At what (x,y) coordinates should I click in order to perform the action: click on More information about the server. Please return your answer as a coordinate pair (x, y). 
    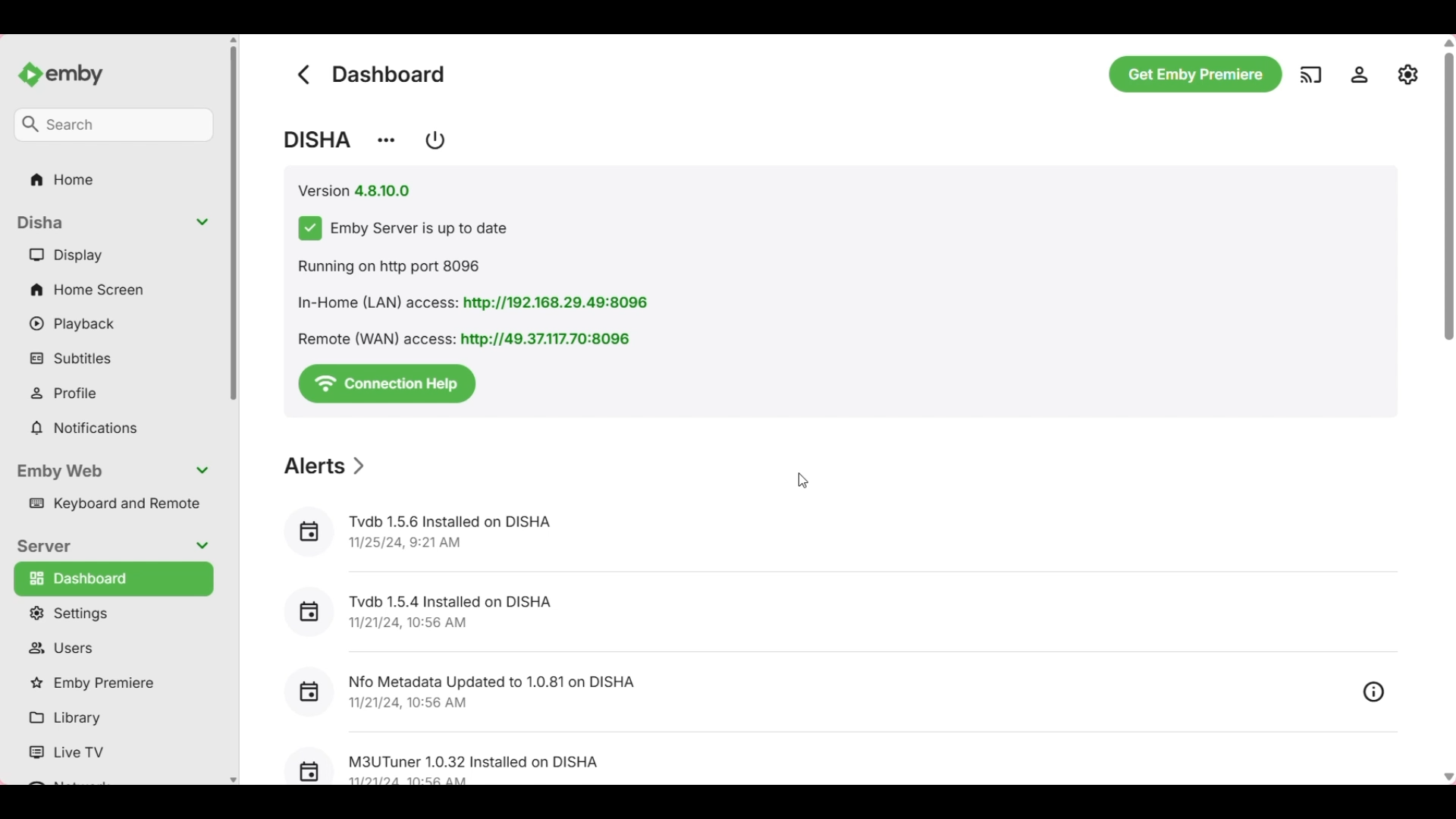
    Looking at the image, I should click on (477, 303).